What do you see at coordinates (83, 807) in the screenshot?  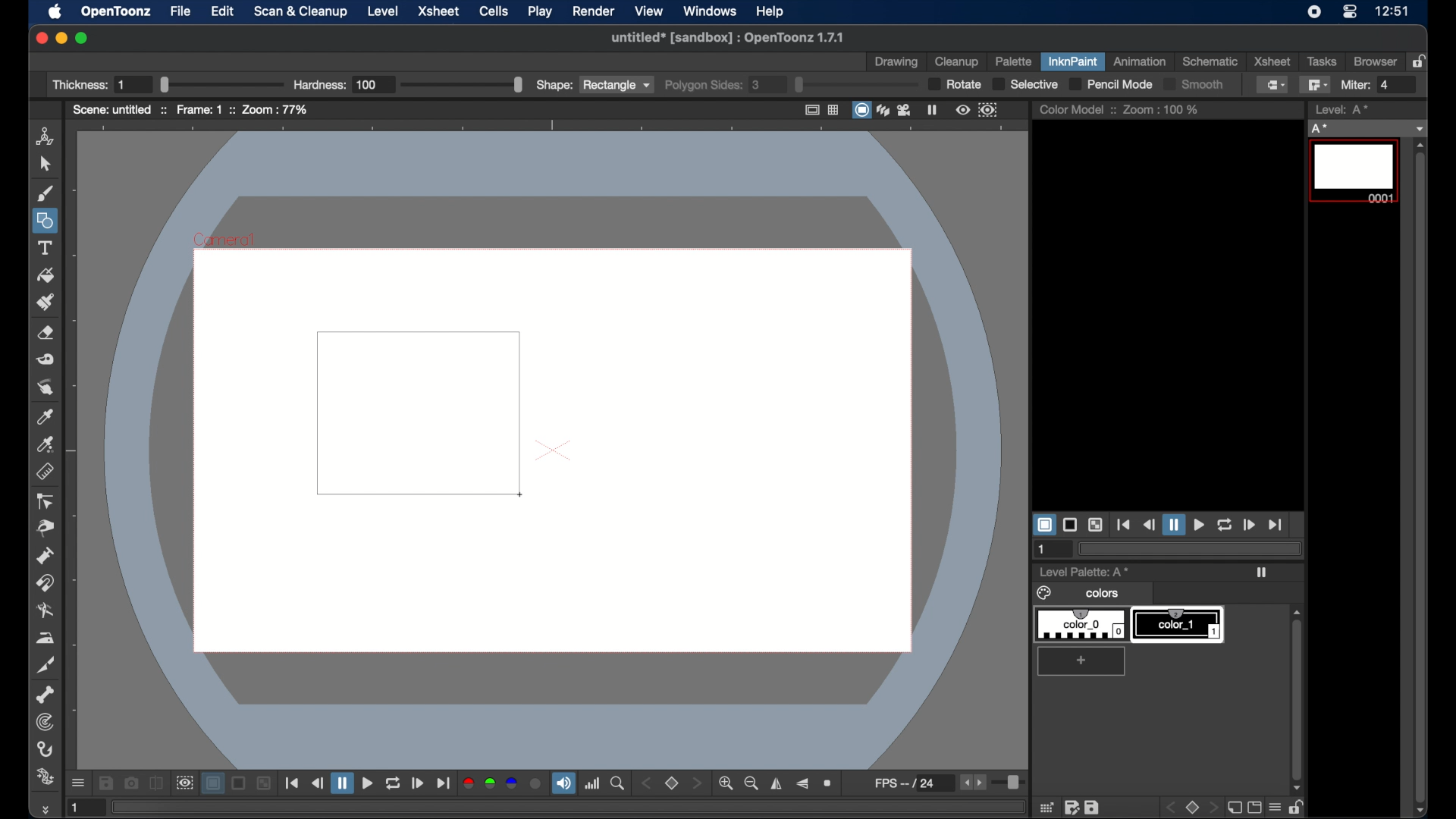 I see `1` at bounding box center [83, 807].